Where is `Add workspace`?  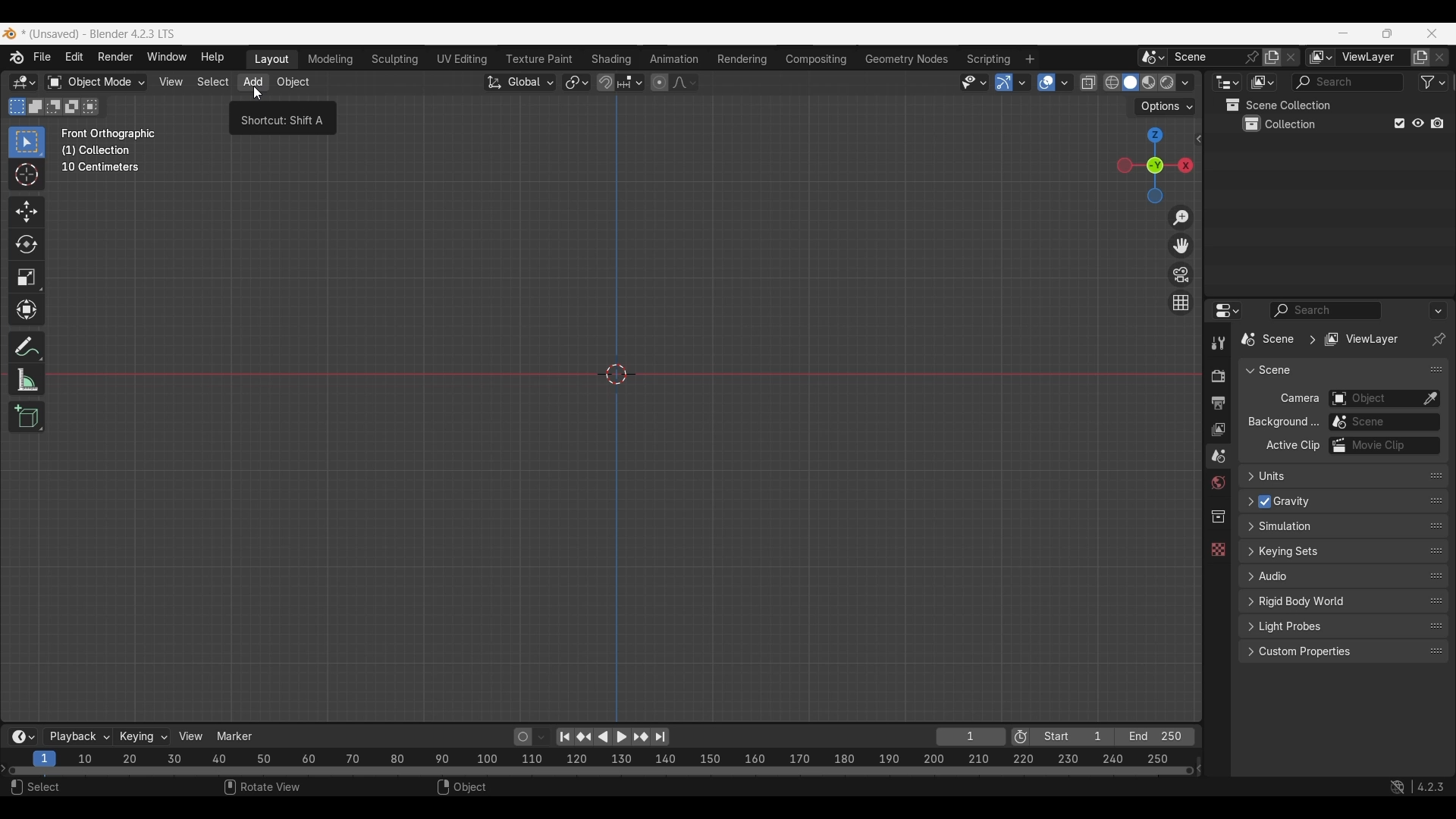
Add workspace is located at coordinates (1029, 59).